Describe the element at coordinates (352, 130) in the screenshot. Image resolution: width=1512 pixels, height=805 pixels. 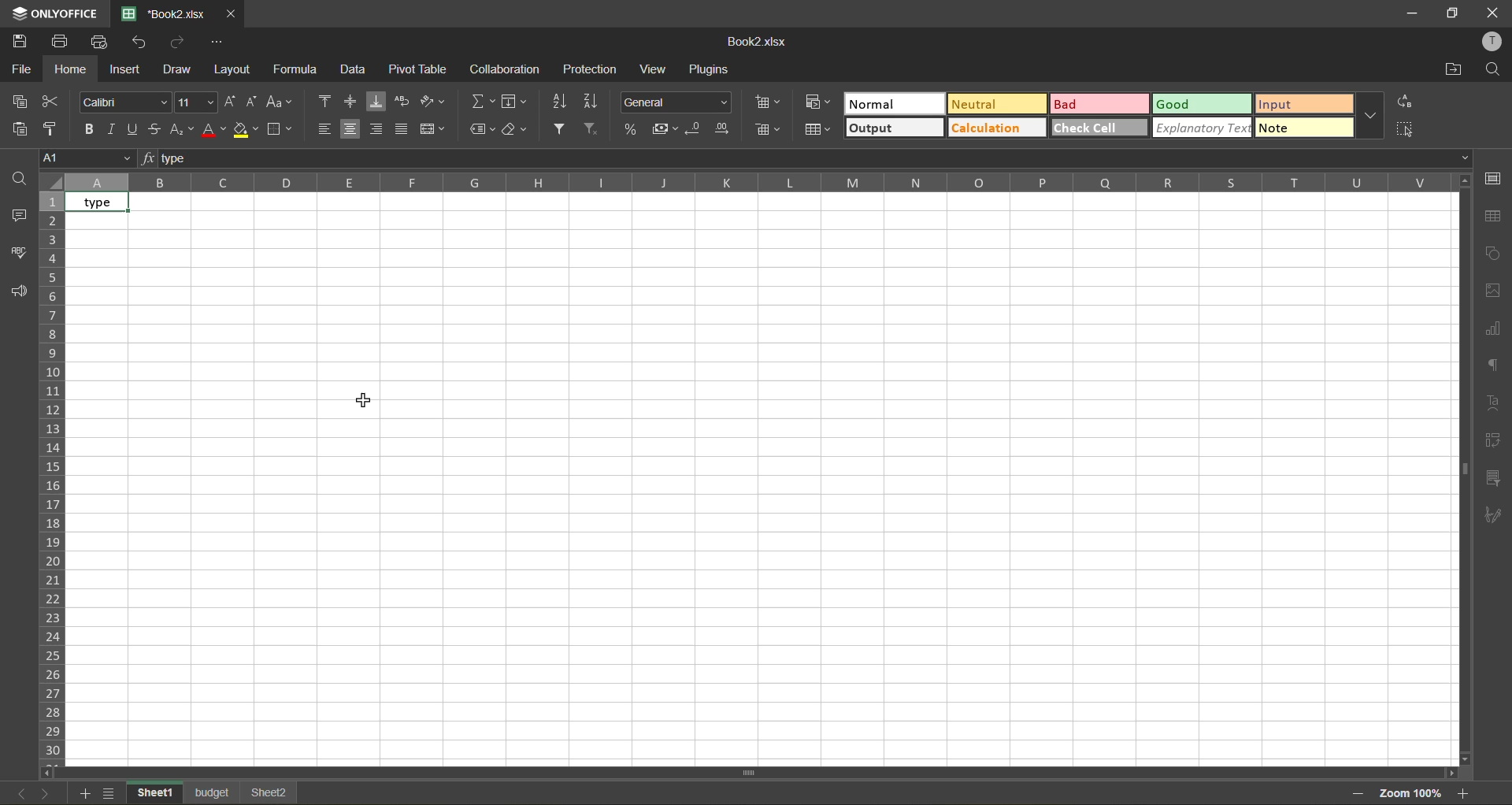
I see `align center enabled` at that location.